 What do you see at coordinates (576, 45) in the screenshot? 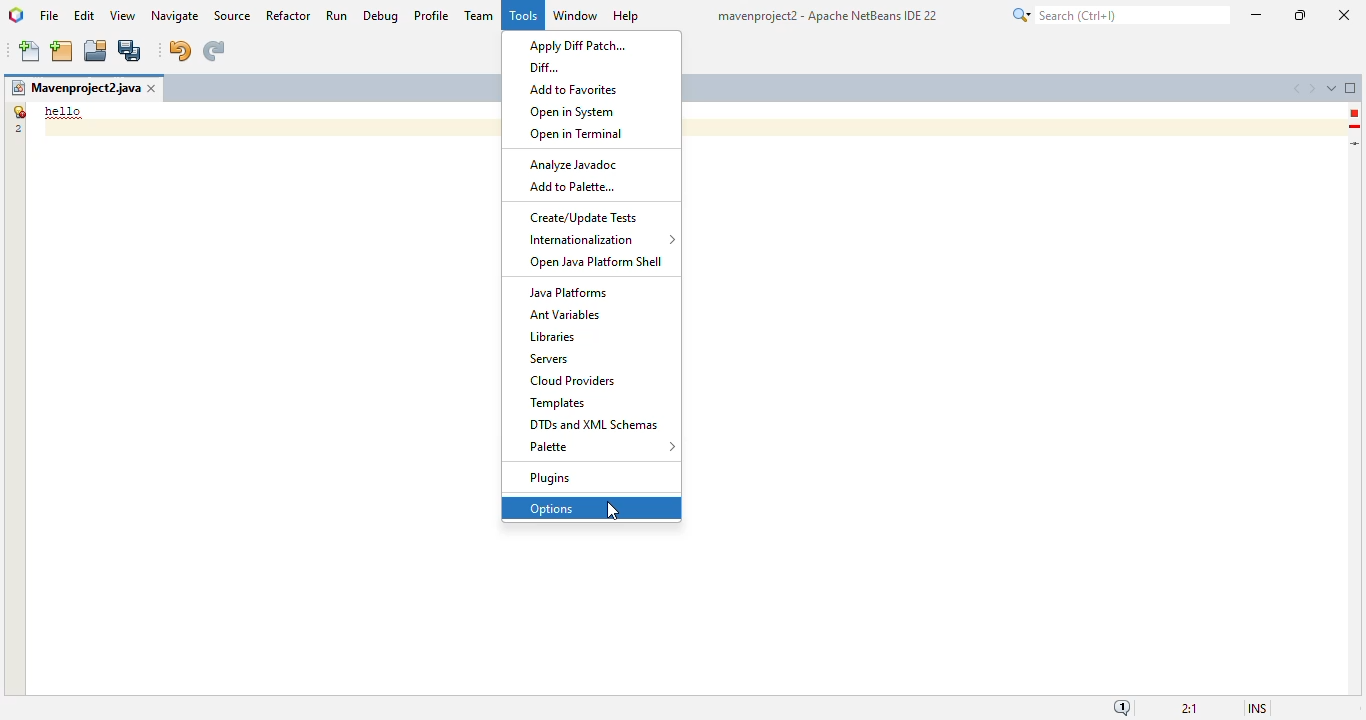
I see `apply diff patch` at bounding box center [576, 45].